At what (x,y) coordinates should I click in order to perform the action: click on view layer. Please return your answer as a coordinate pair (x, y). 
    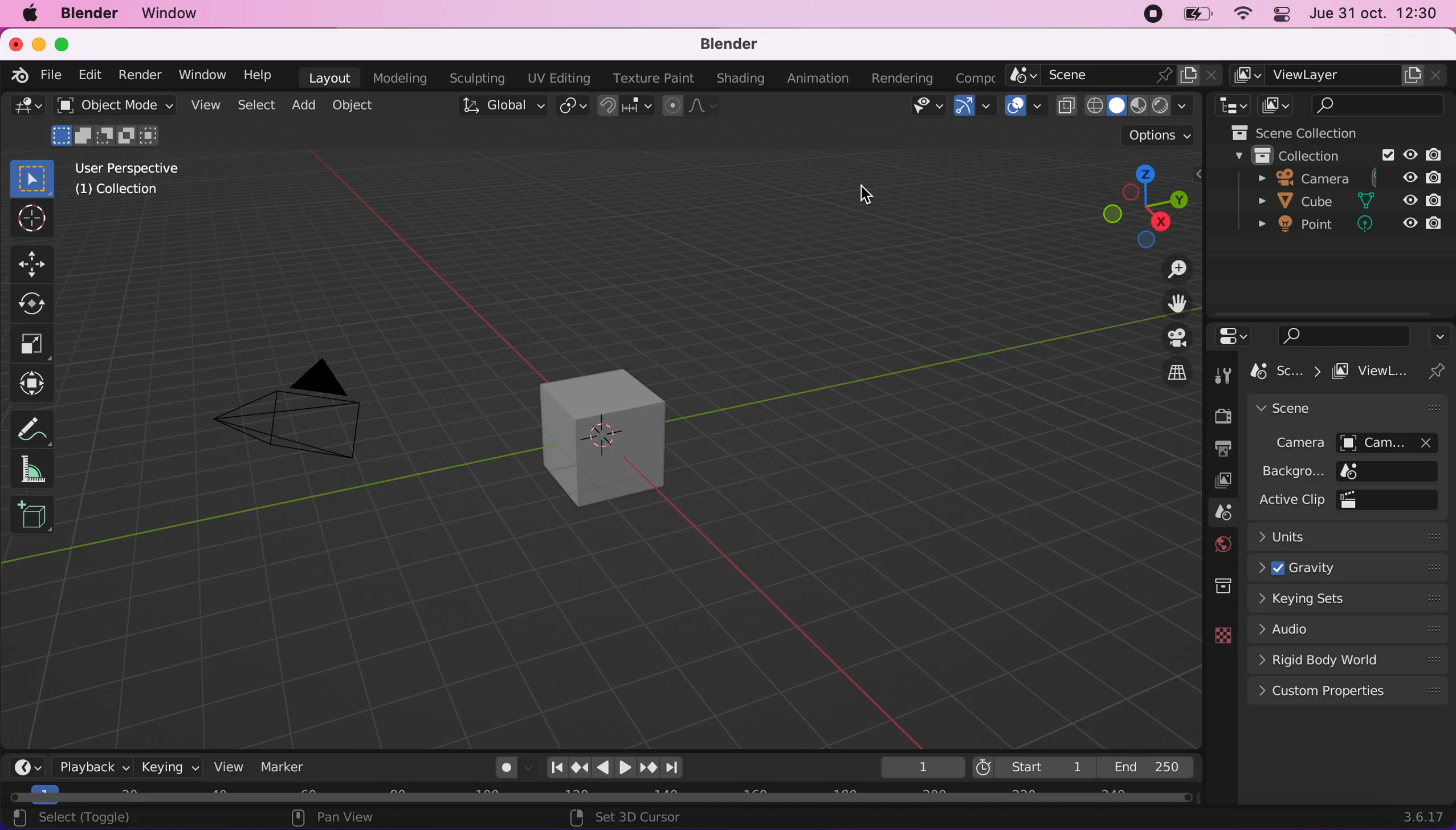
    Looking at the image, I should click on (1219, 482).